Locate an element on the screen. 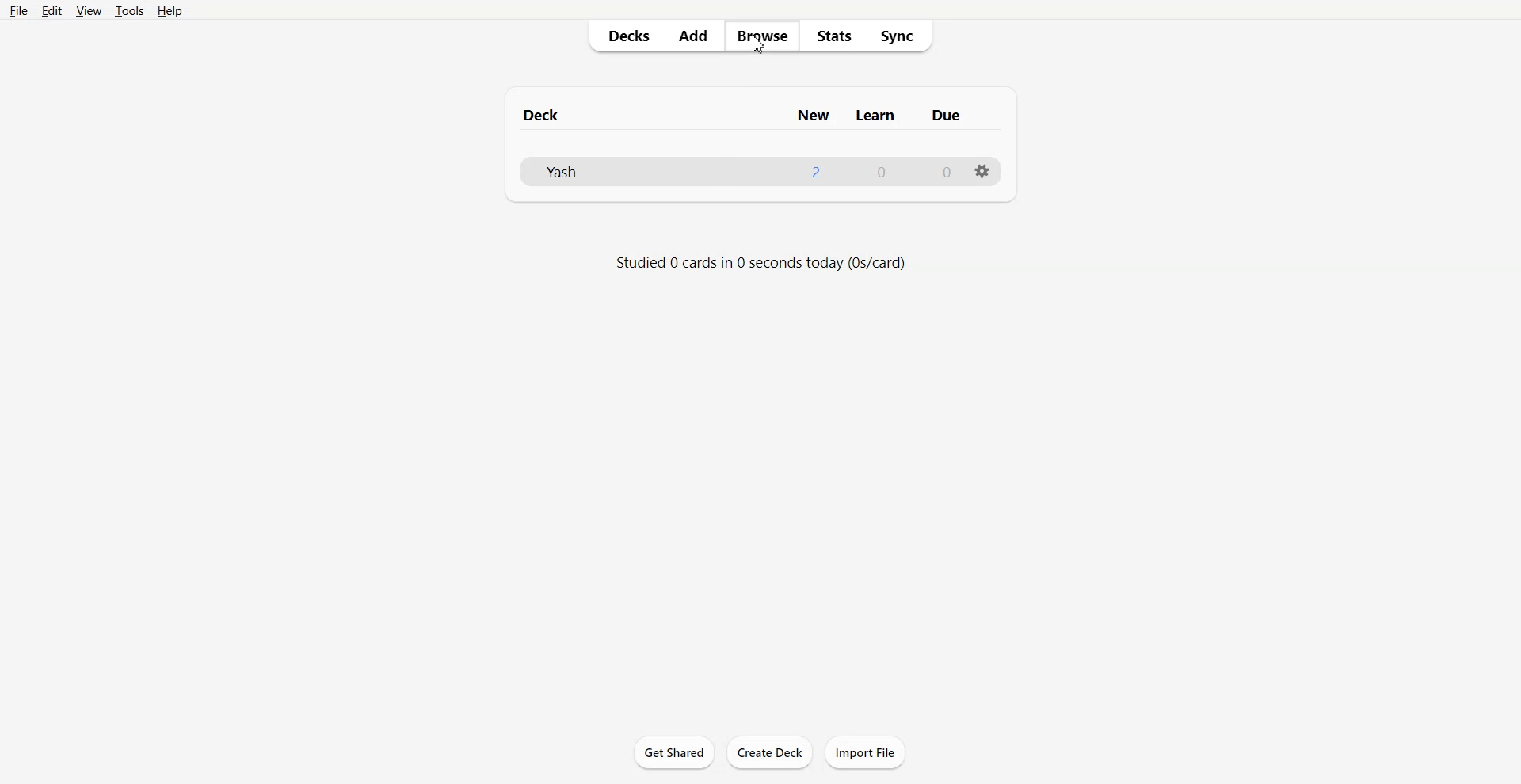 This screenshot has height=784, width=1521. deck is located at coordinates (554, 113).